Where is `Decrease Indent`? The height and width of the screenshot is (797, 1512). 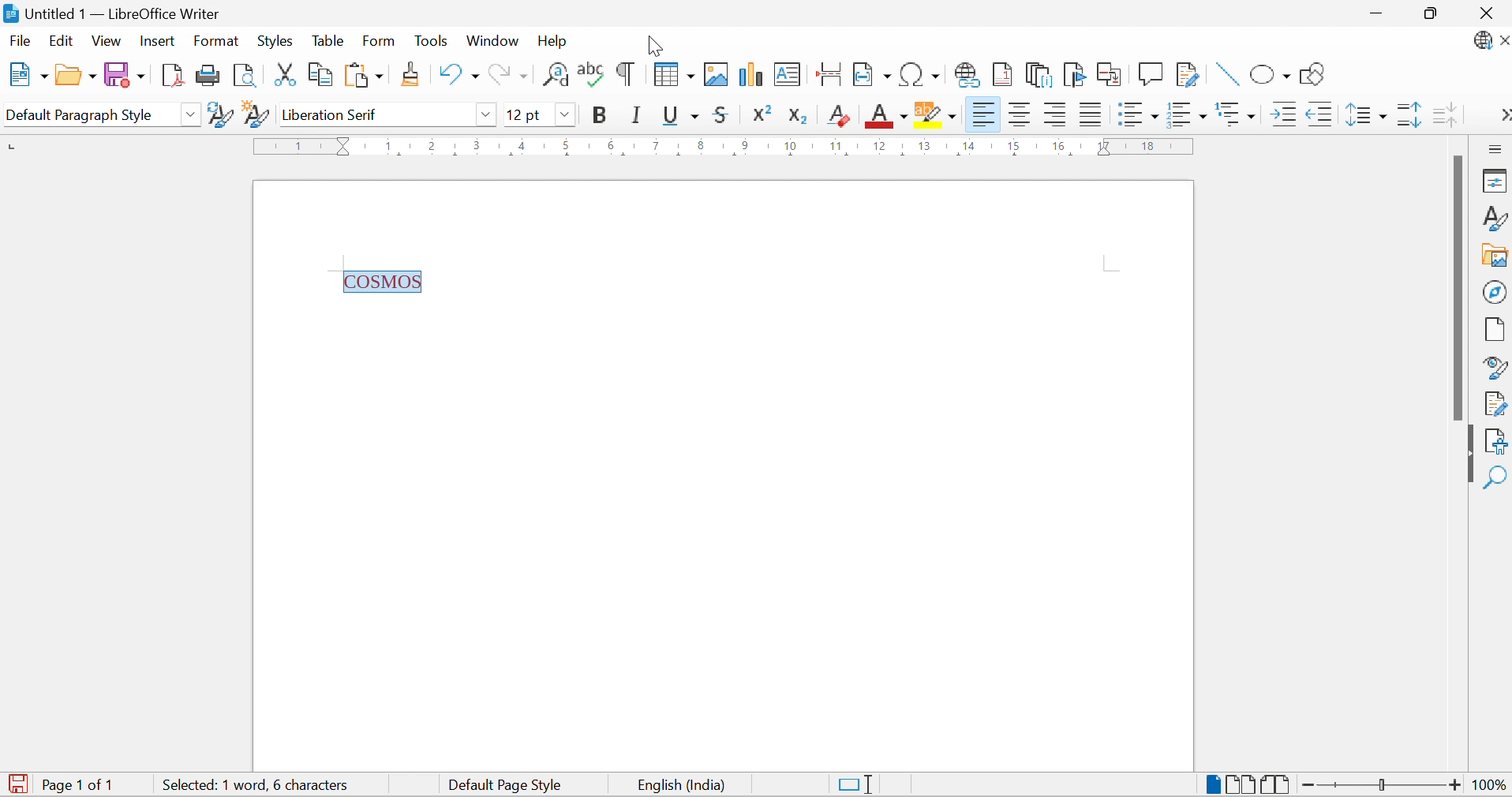
Decrease Indent is located at coordinates (1319, 115).